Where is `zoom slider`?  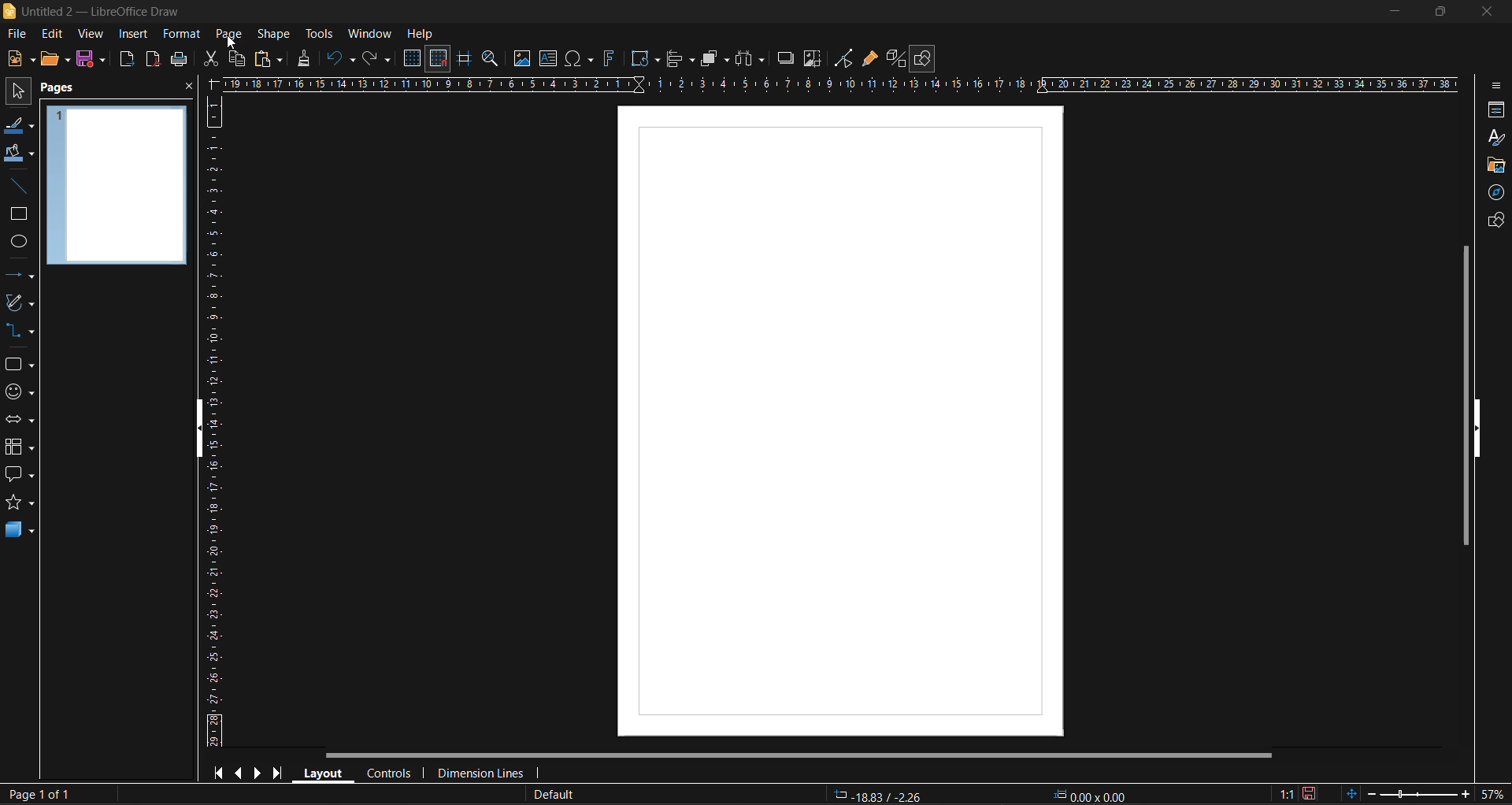 zoom slider is located at coordinates (1411, 795).